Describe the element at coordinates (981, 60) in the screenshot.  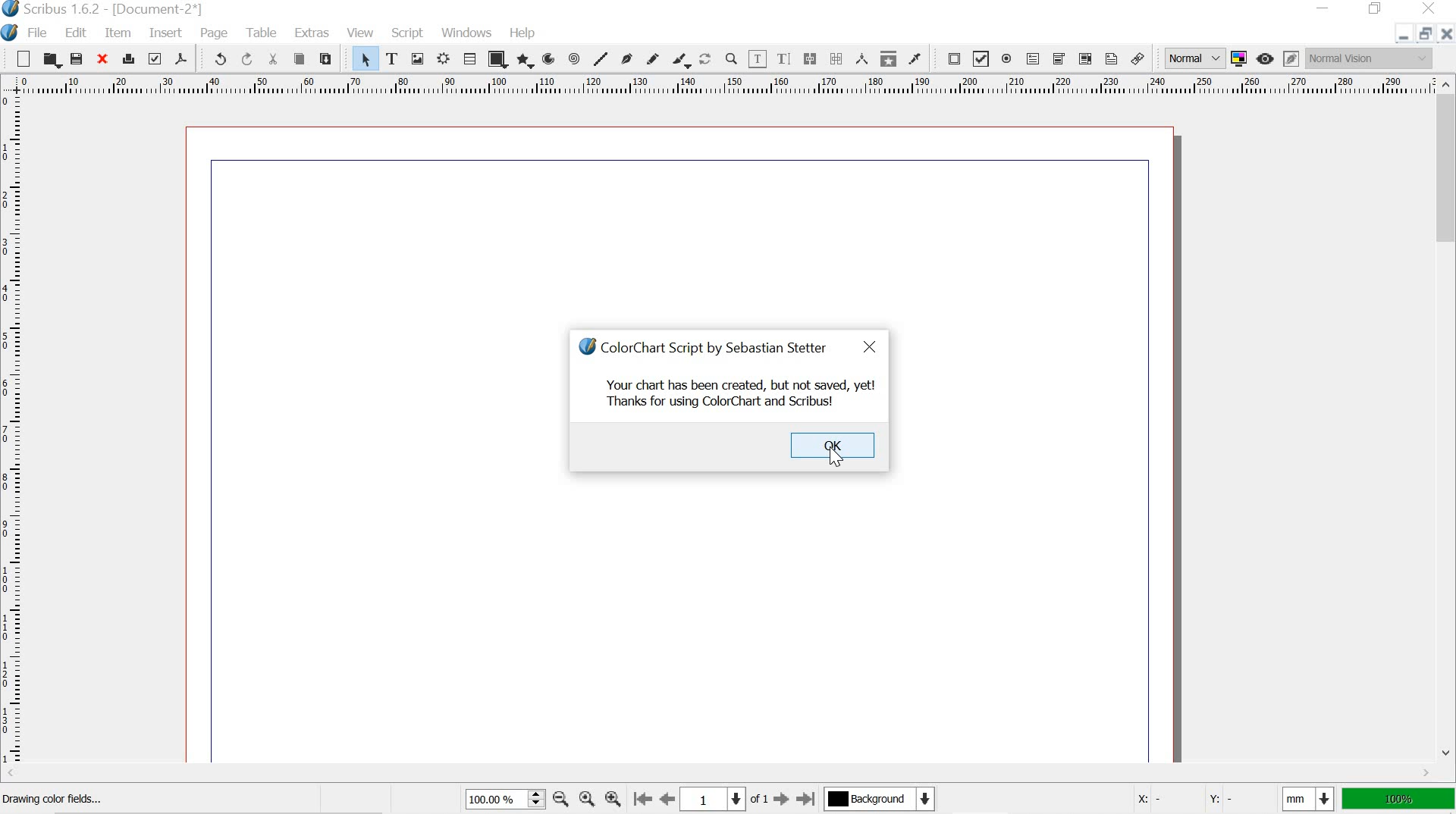
I see `pdf check box` at that location.